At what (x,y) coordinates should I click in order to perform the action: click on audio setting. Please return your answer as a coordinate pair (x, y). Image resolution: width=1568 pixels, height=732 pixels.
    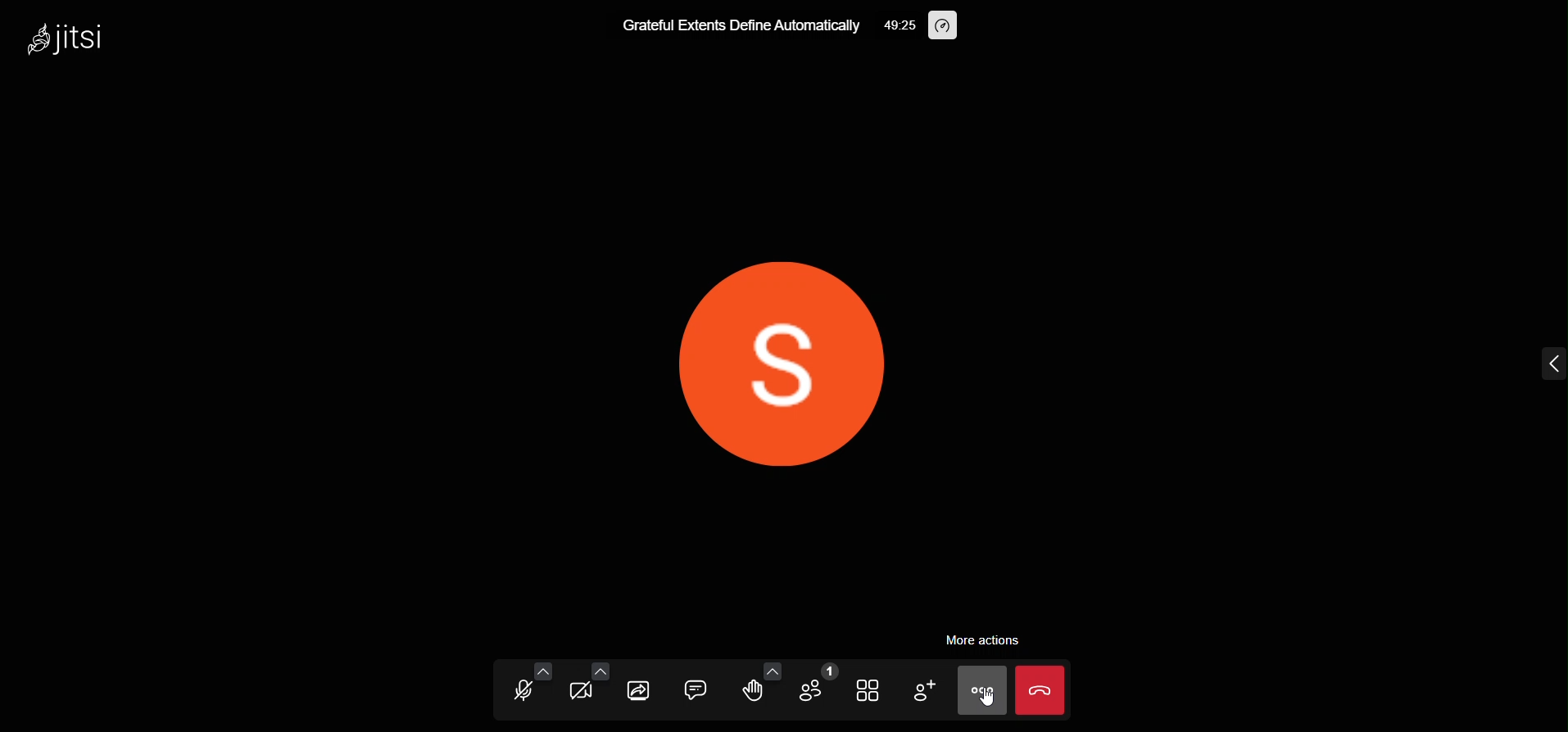
    Looking at the image, I should click on (542, 669).